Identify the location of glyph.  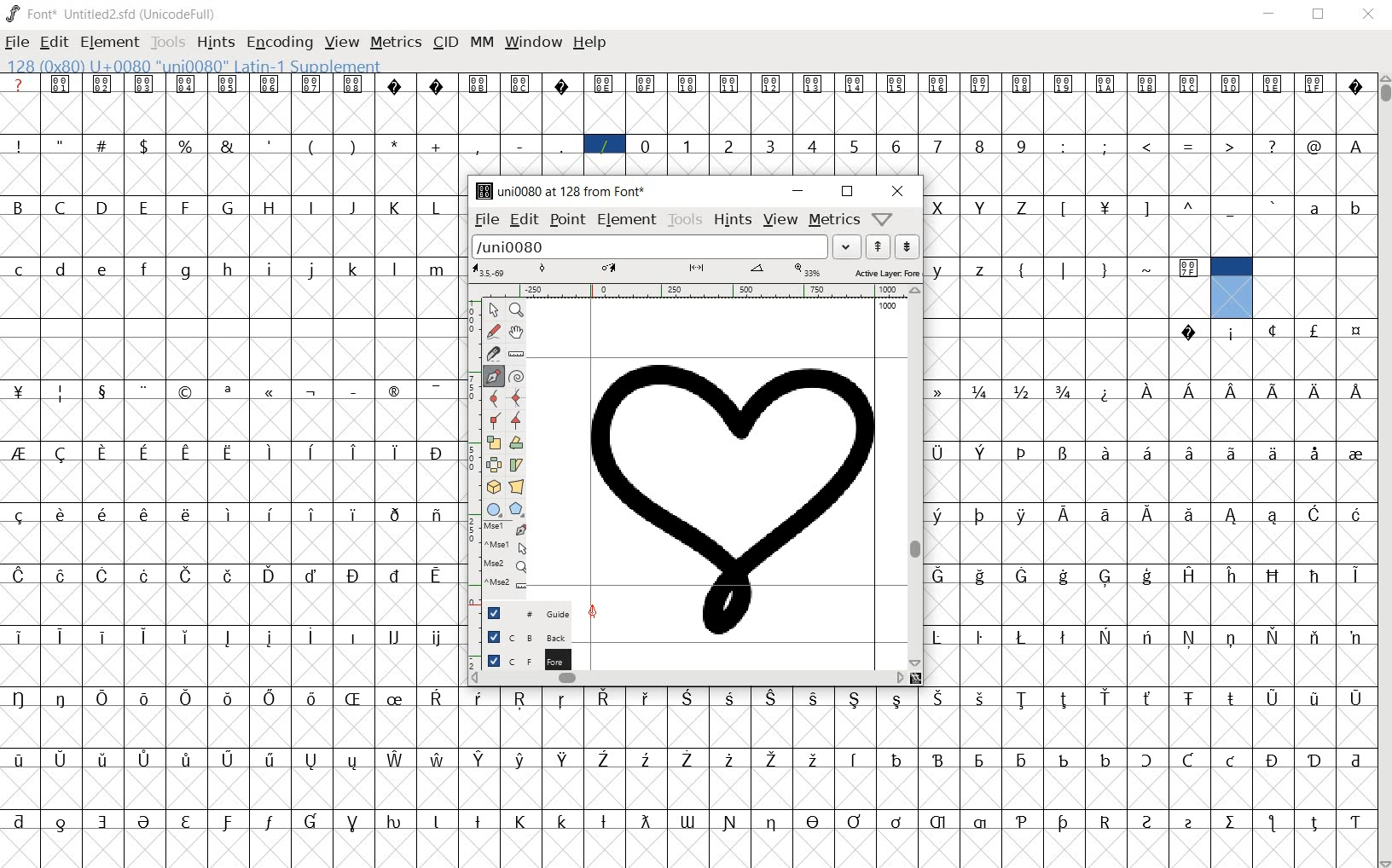
(1147, 822).